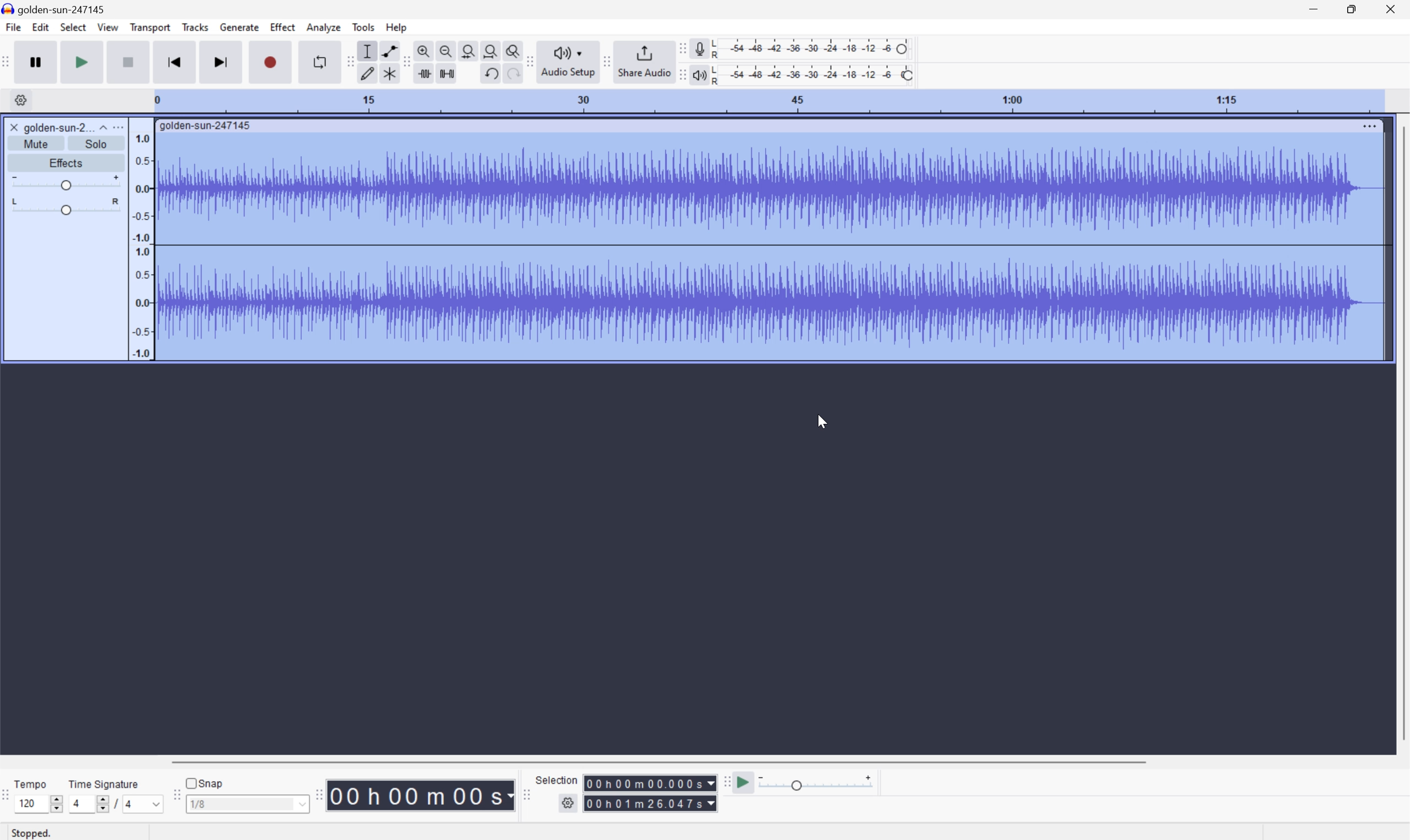 Image resolution: width=1410 pixels, height=840 pixels. I want to click on Record / Record new track, so click(270, 62).